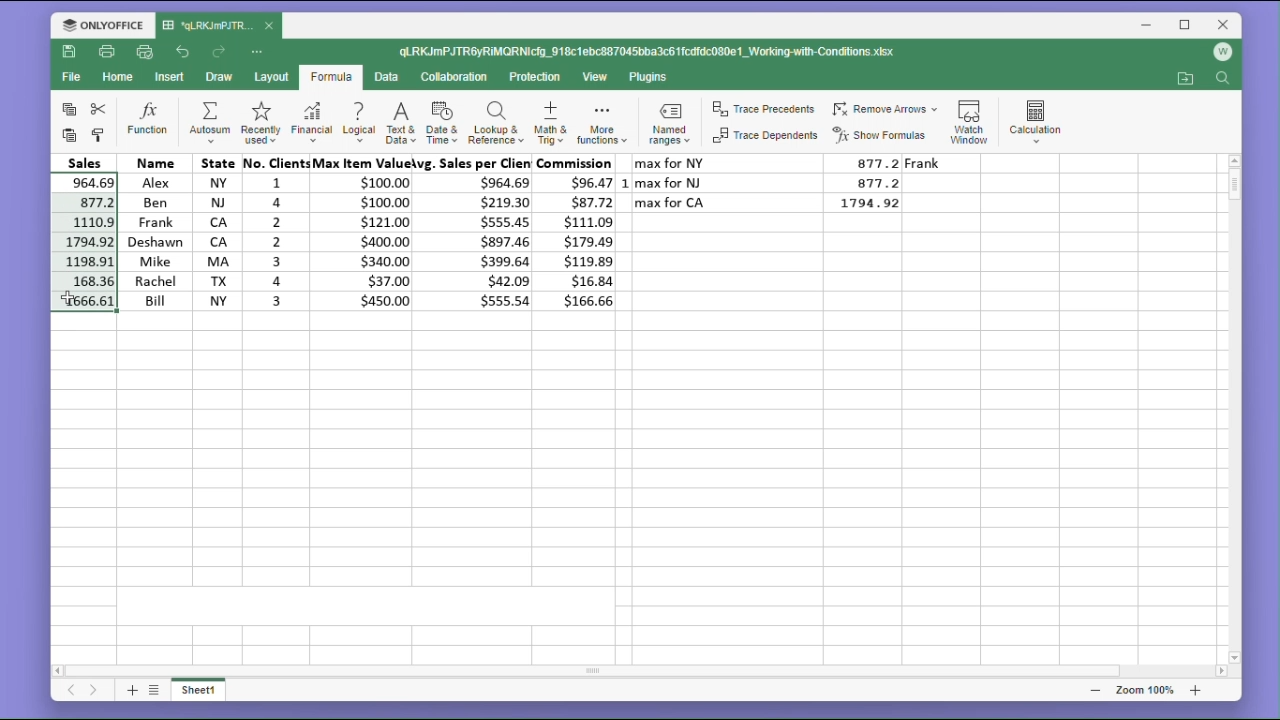 This screenshot has width=1280, height=720. I want to click on cut, so click(102, 109).